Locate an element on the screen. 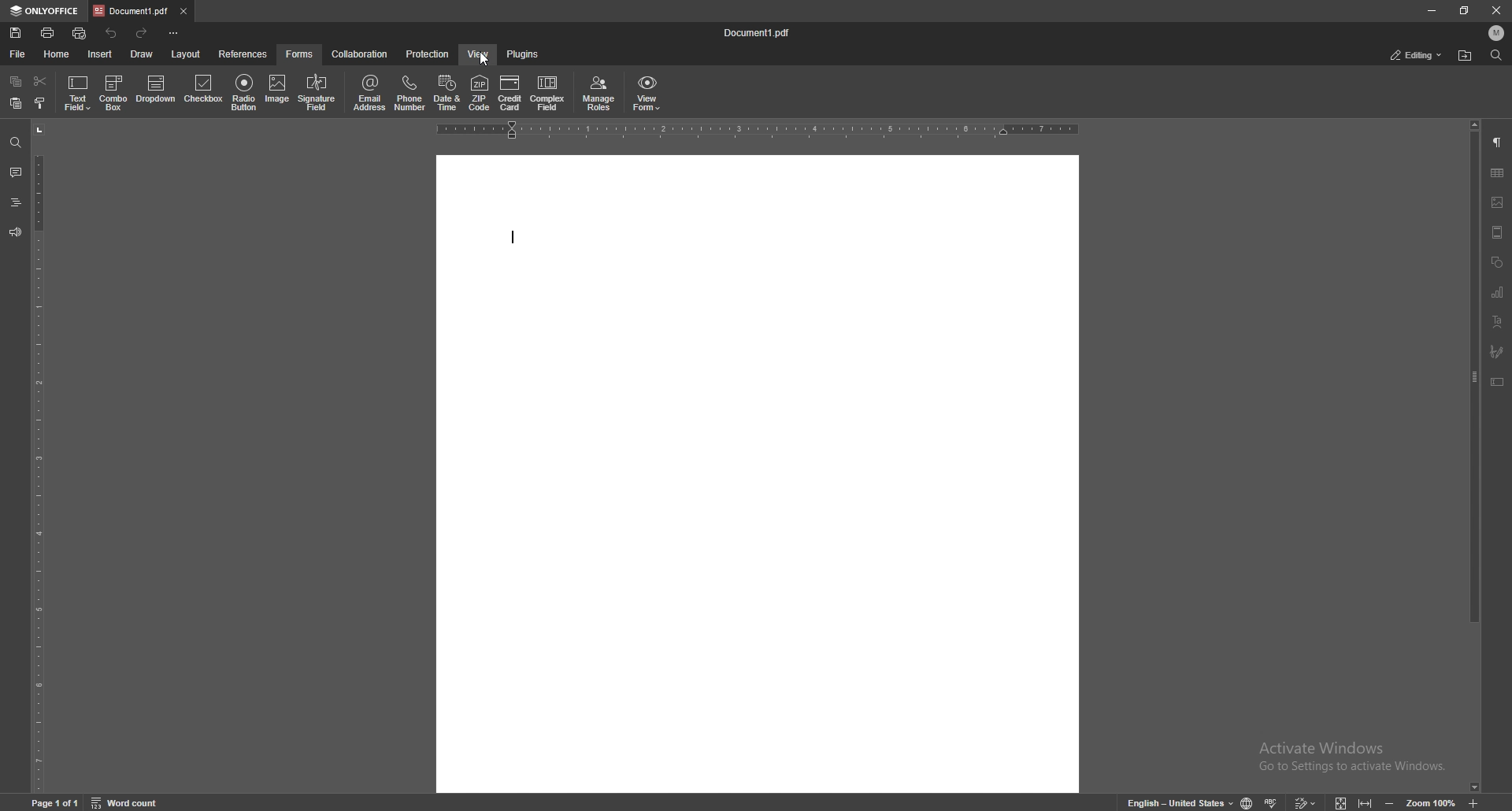 Image resolution: width=1512 pixels, height=811 pixels. tab is located at coordinates (130, 11).